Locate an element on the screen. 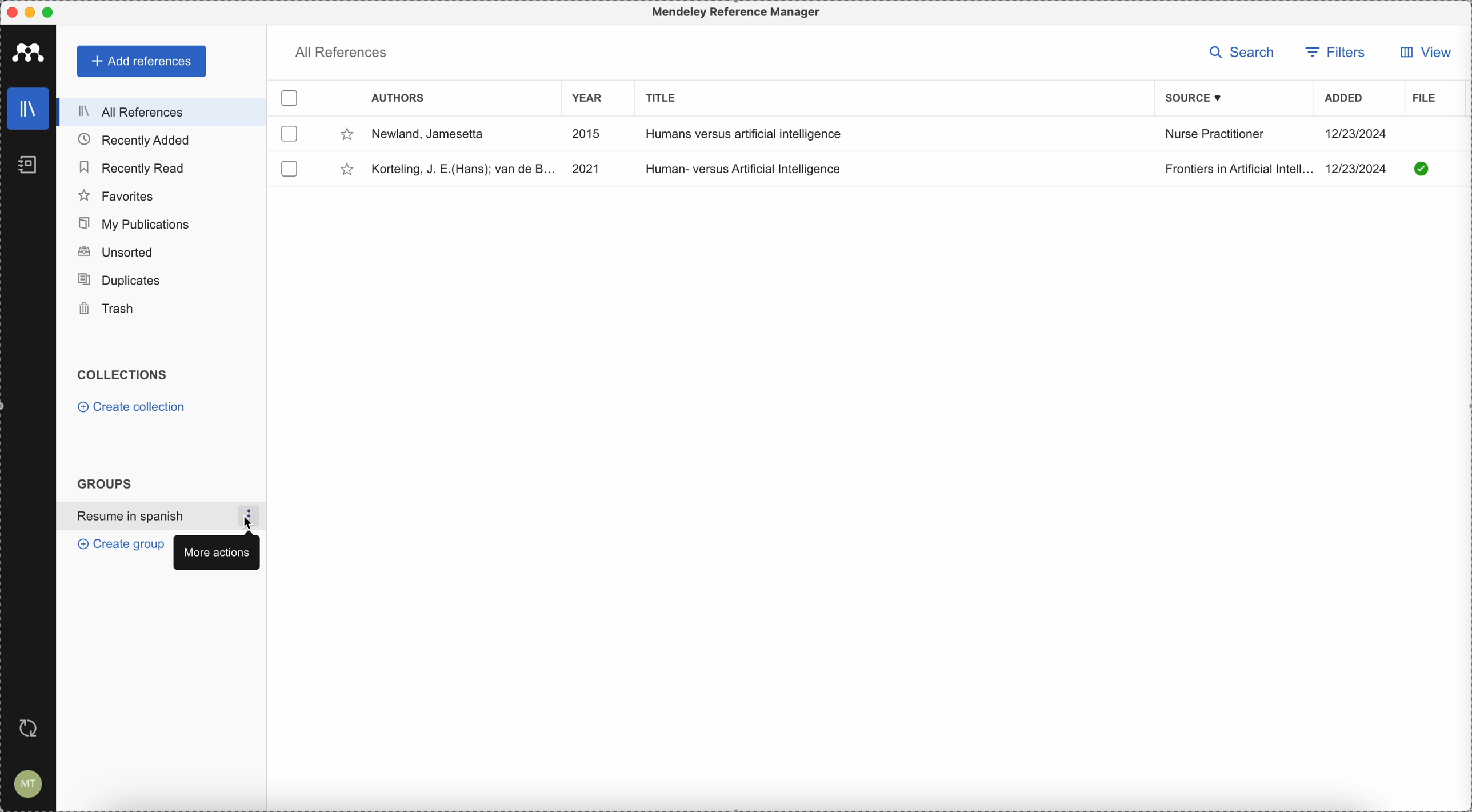 This screenshot has width=1472, height=812. cursor is located at coordinates (251, 524).